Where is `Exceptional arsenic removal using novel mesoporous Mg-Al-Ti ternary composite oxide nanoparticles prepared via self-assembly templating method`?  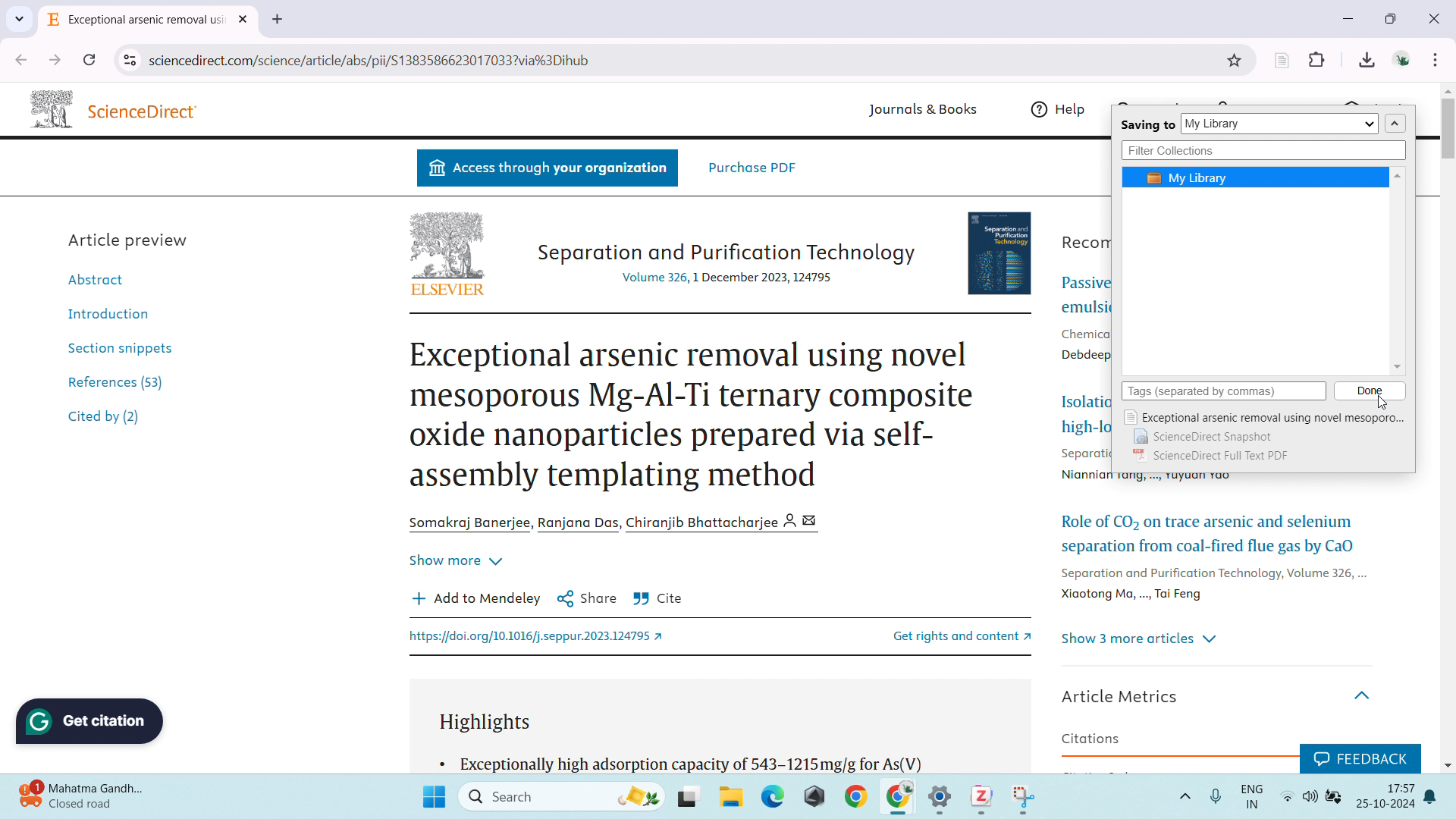
Exceptional arsenic removal using novel mesoporous Mg-Al-Ti ternary composite oxide nanoparticles prepared via self-assembly templating method is located at coordinates (693, 416).